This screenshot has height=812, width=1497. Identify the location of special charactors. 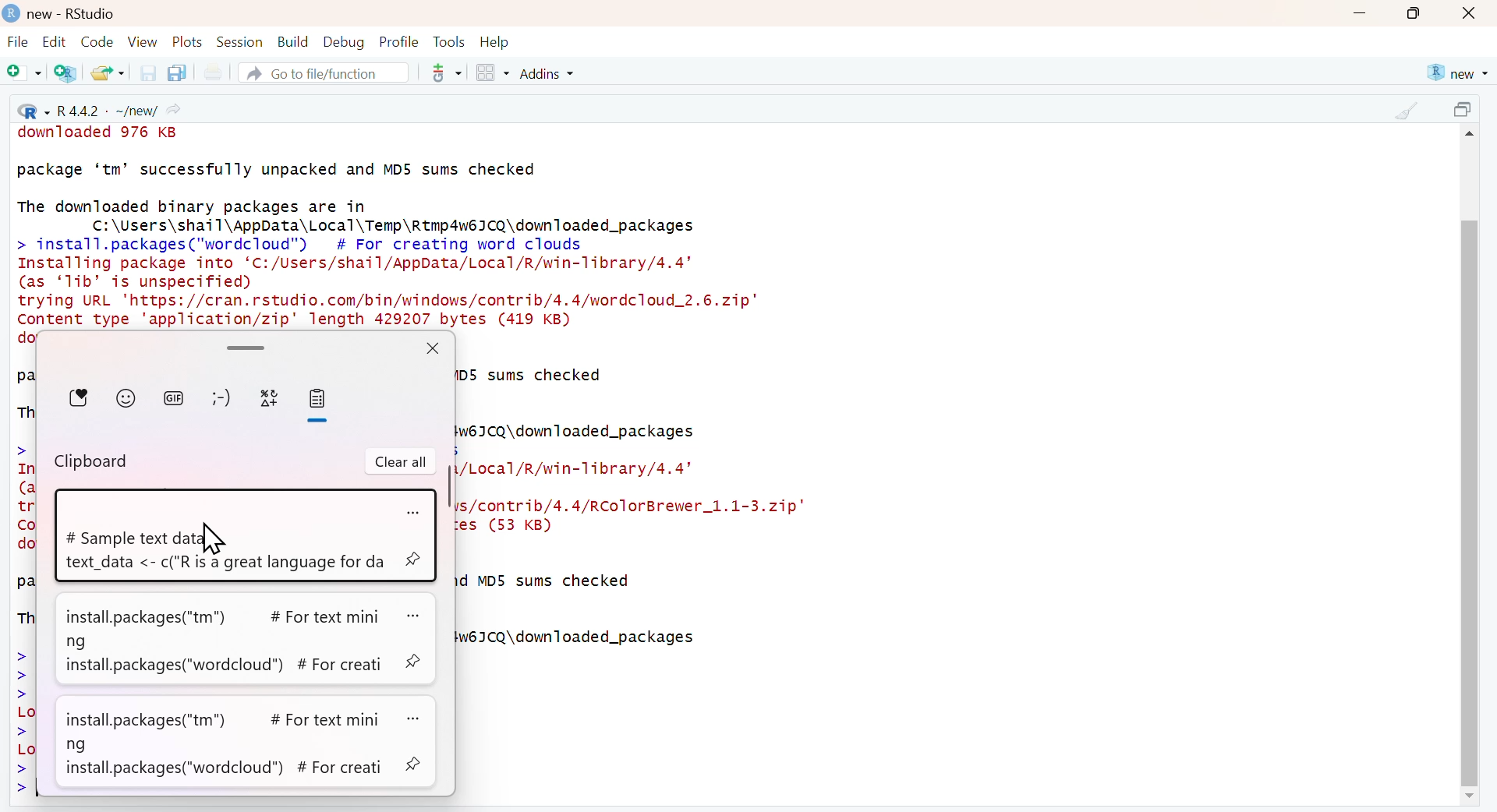
(273, 400).